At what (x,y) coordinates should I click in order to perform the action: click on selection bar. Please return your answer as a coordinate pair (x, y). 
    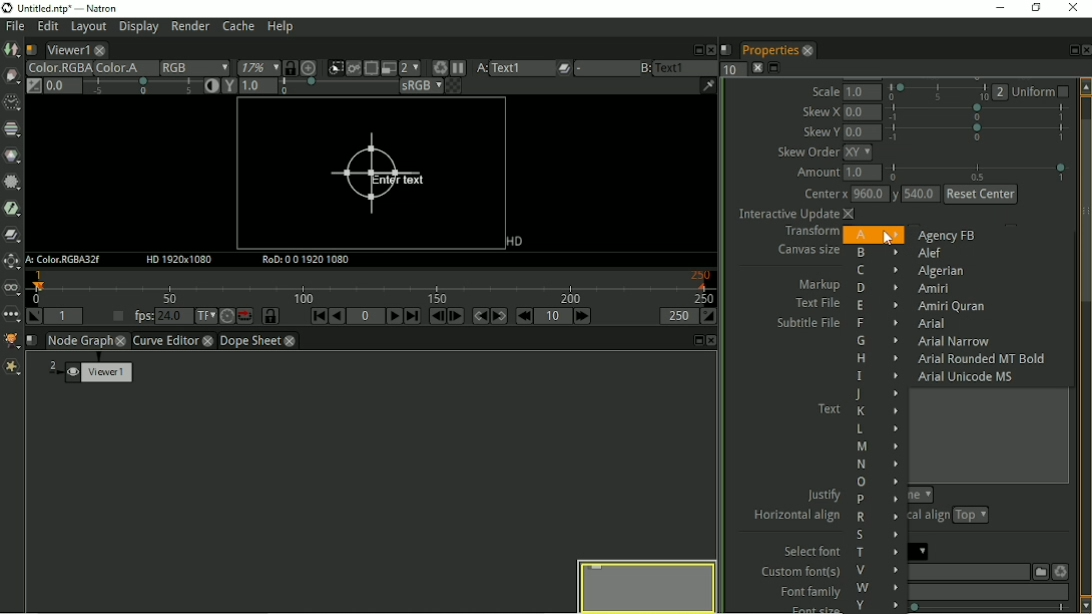
    Looking at the image, I should click on (979, 171).